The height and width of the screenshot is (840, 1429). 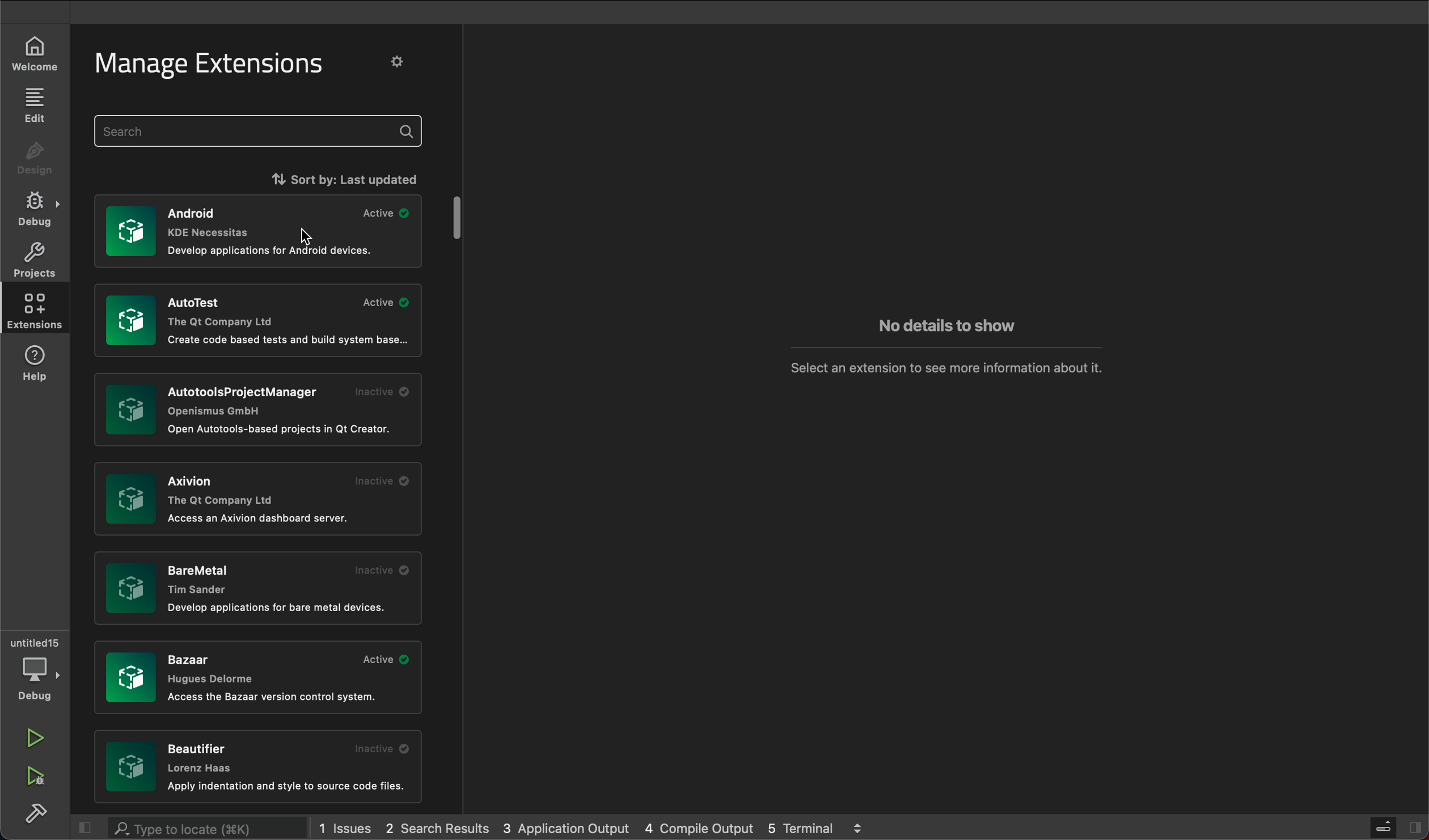 I want to click on logs, so click(x=349, y=826).